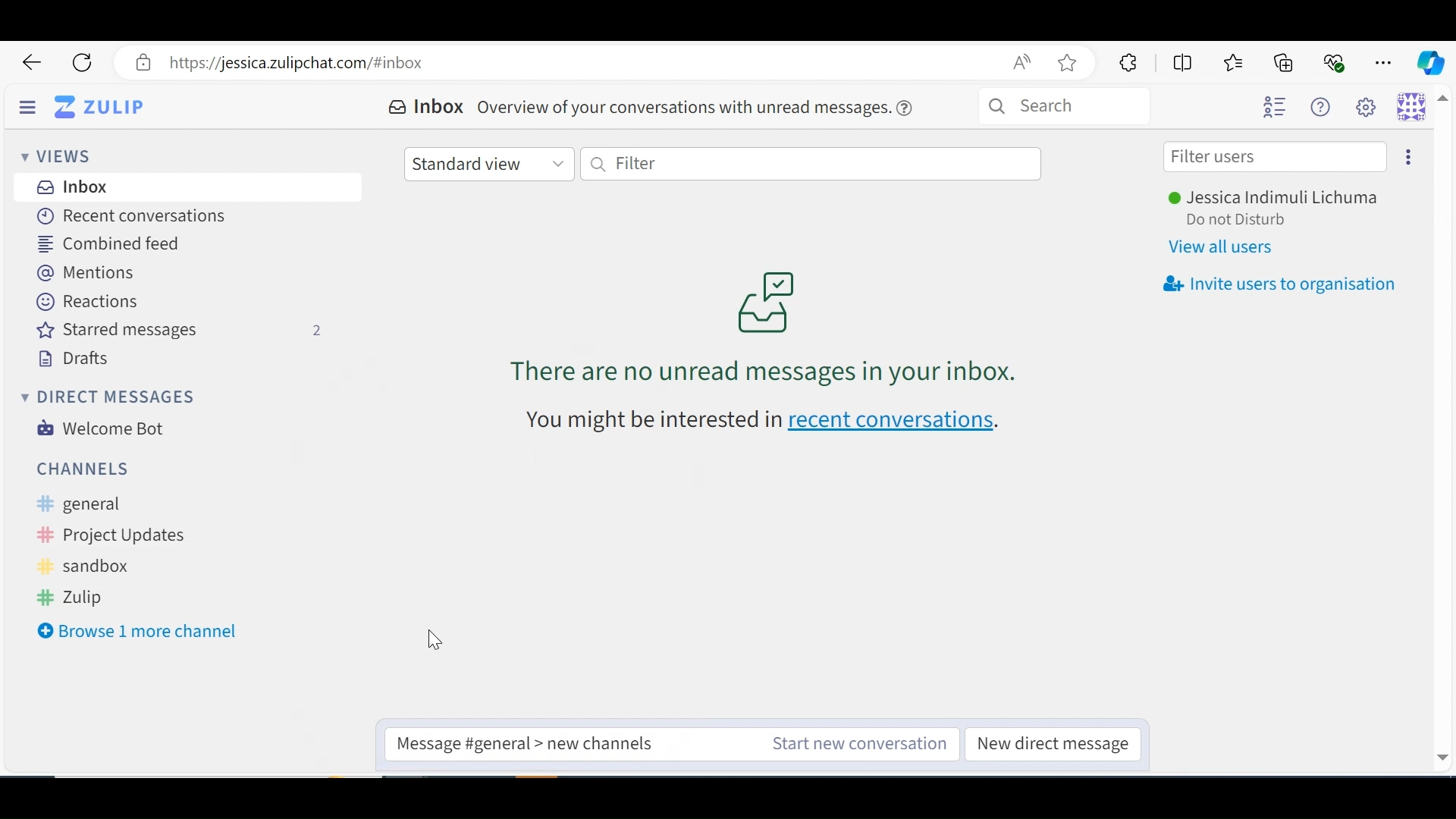 This screenshot has width=1456, height=819. Describe the element at coordinates (1090, 108) in the screenshot. I see `Search` at that location.